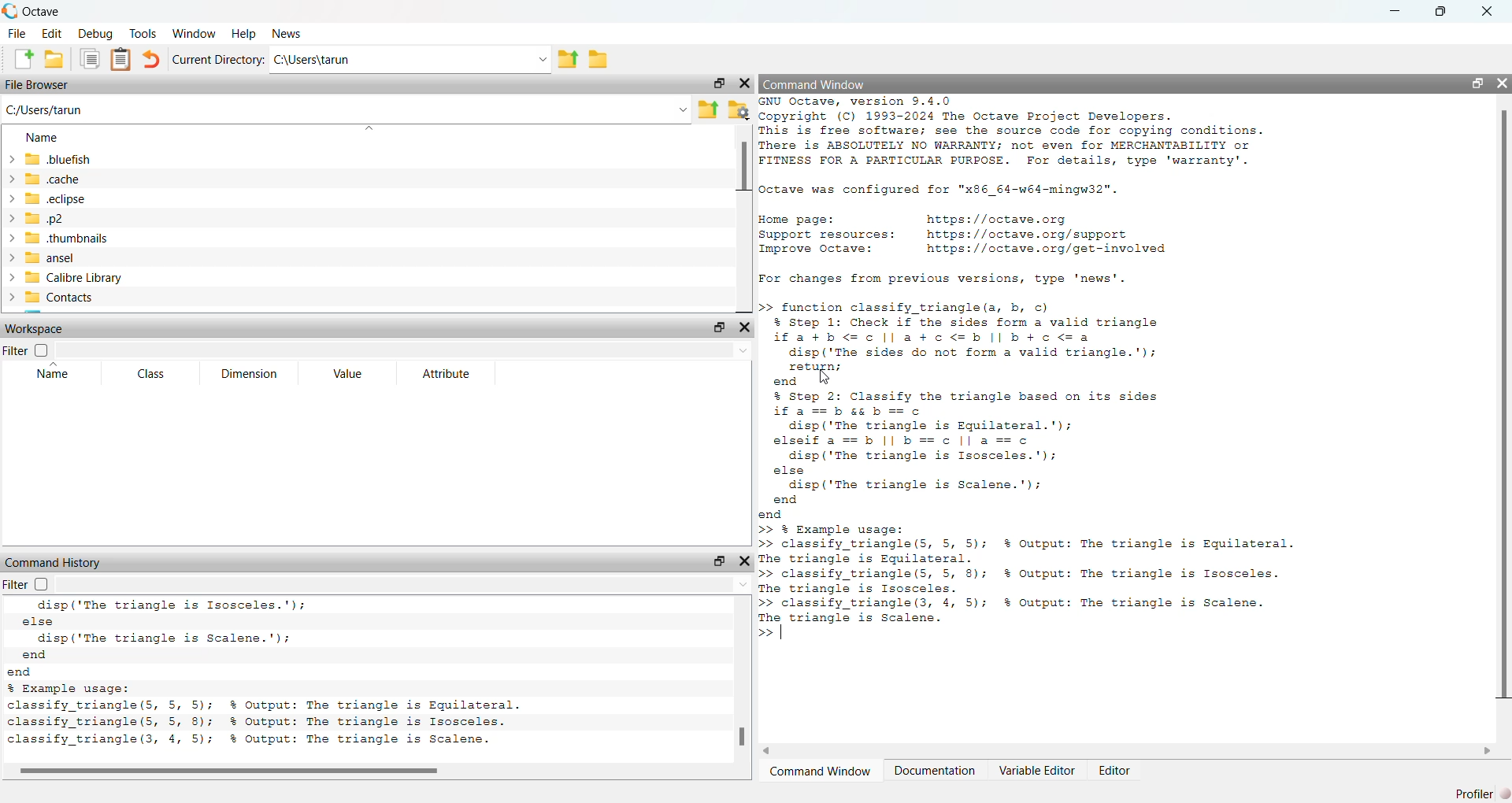  I want to click on filter input field, so click(406, 351).